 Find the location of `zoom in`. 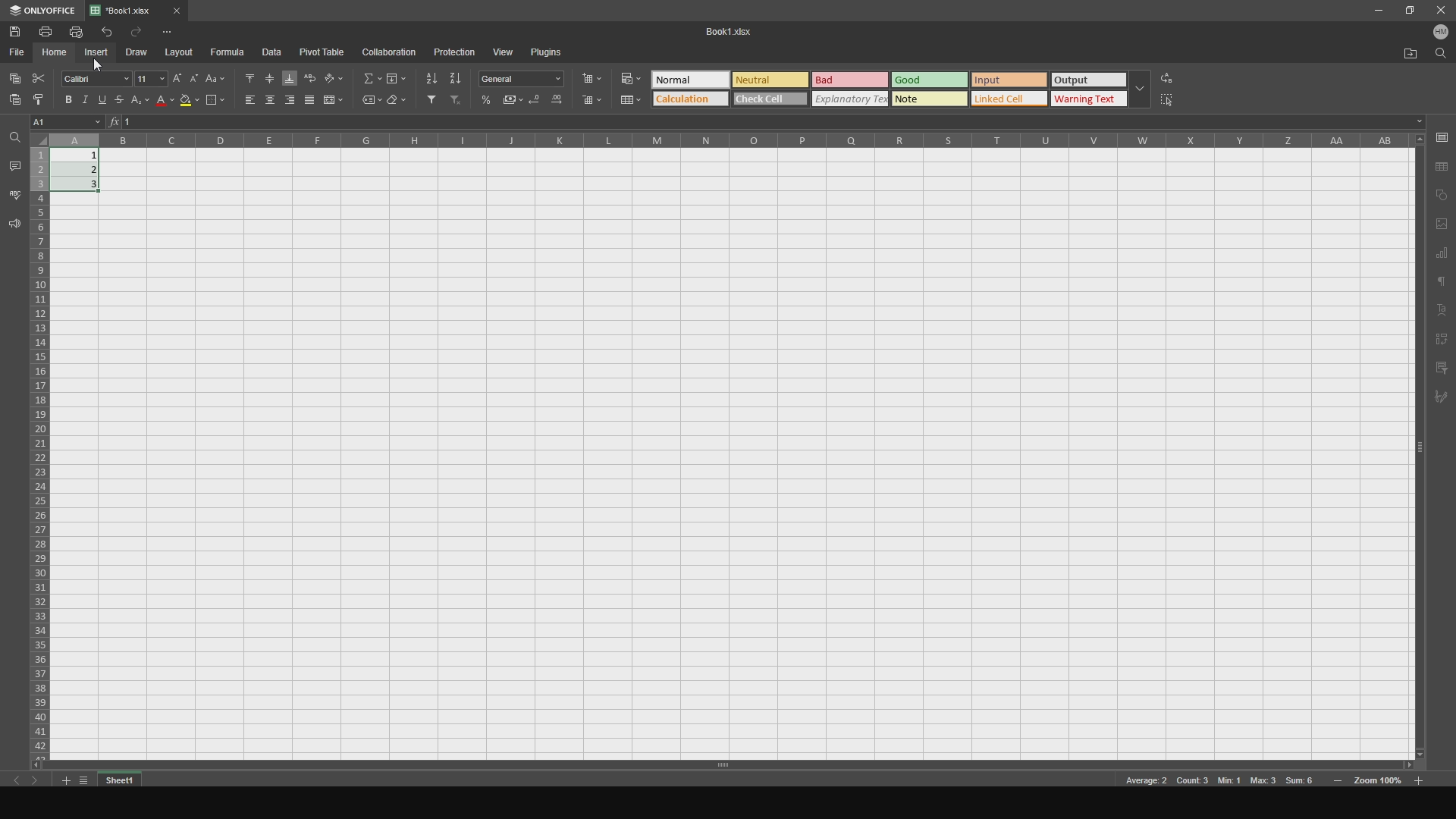

zoom in is located at coordinates (1338, 782).